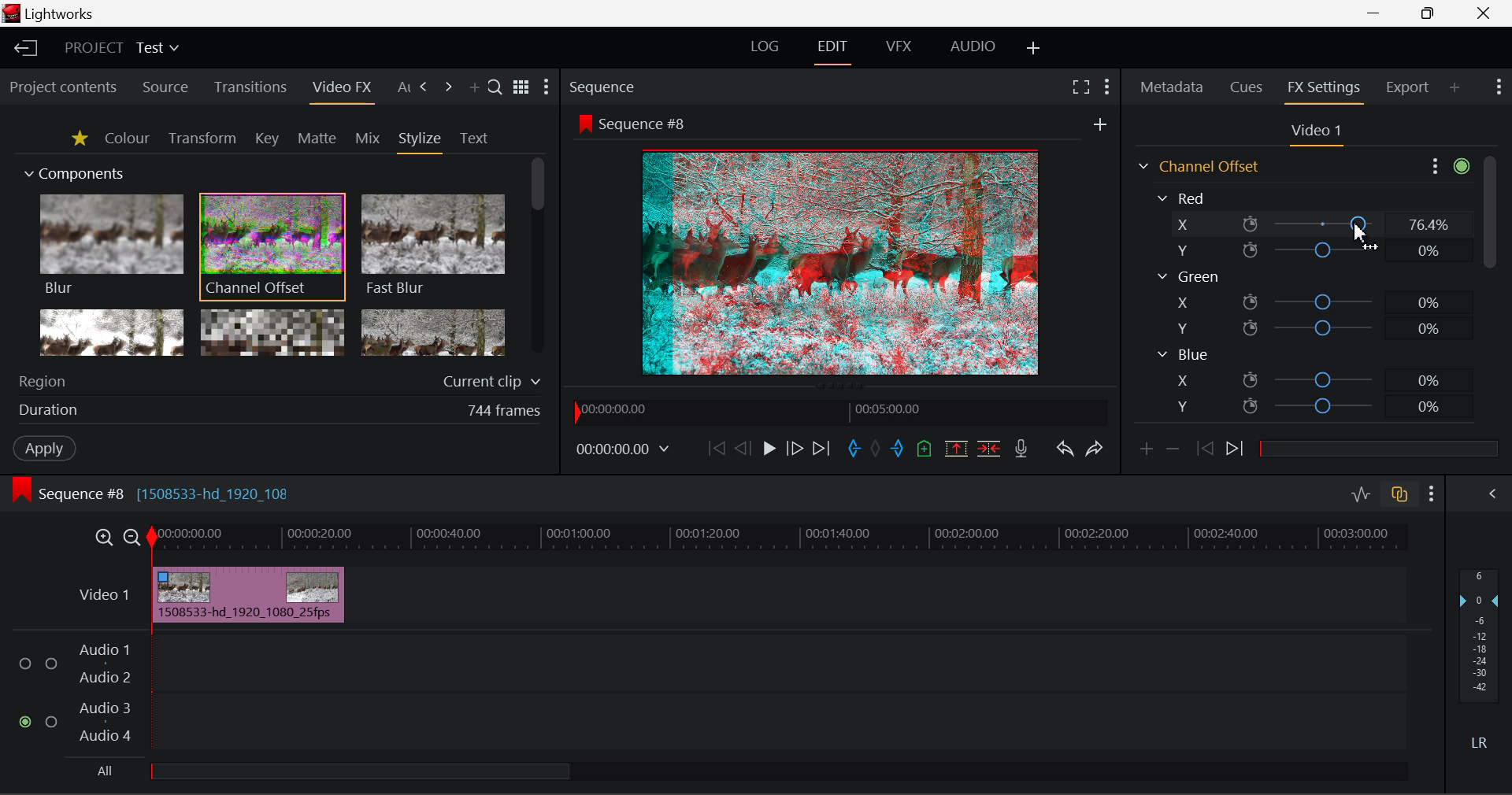  Describe the element at coordinates (79, 140) in the screenshot. I see `Favorites` at that location.